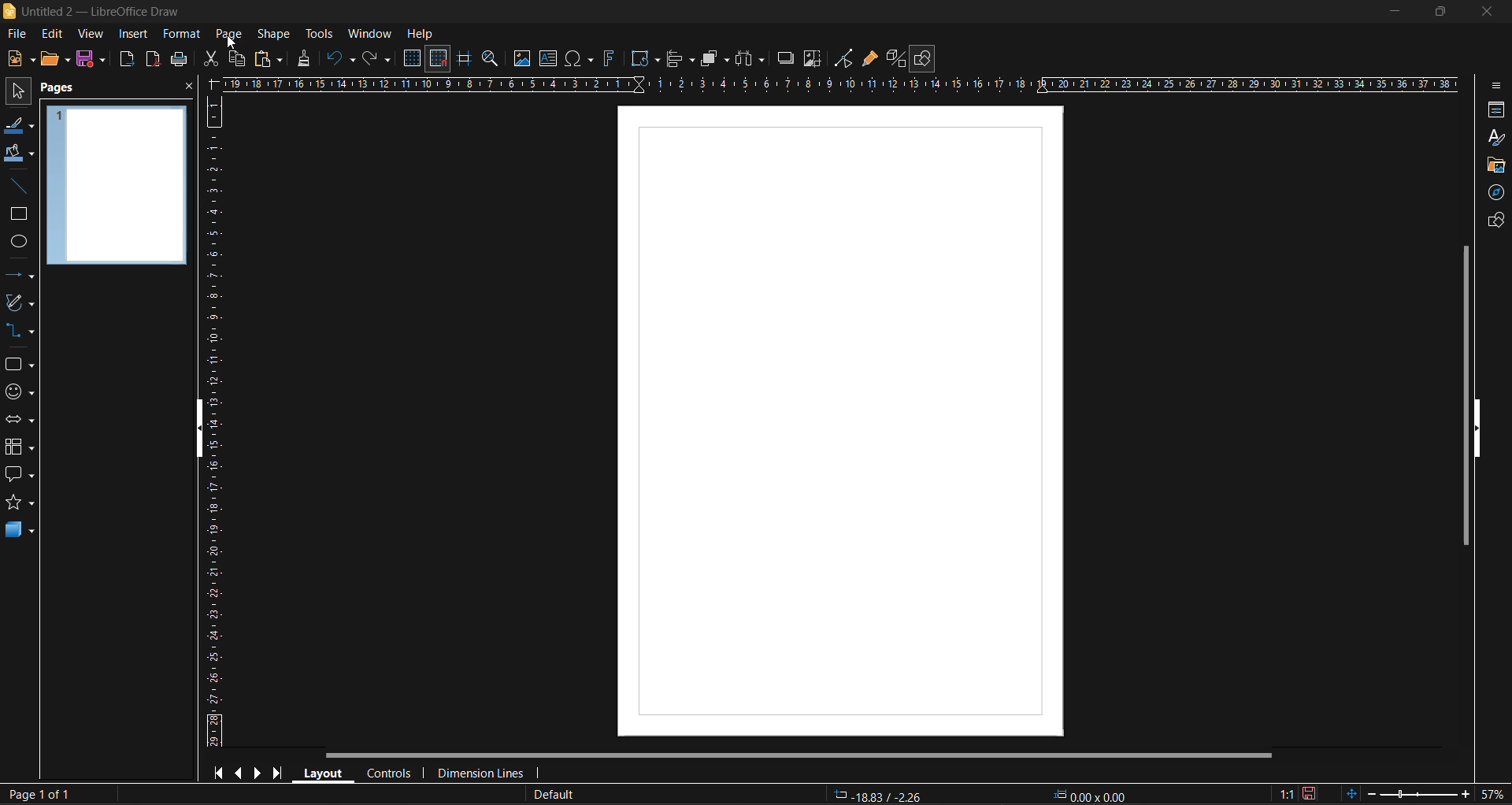 The height and width of the screenshot is (805, 1512). Describe the element at coordinates (846, 60) in the screenshot. I see `toggle point` at that location.